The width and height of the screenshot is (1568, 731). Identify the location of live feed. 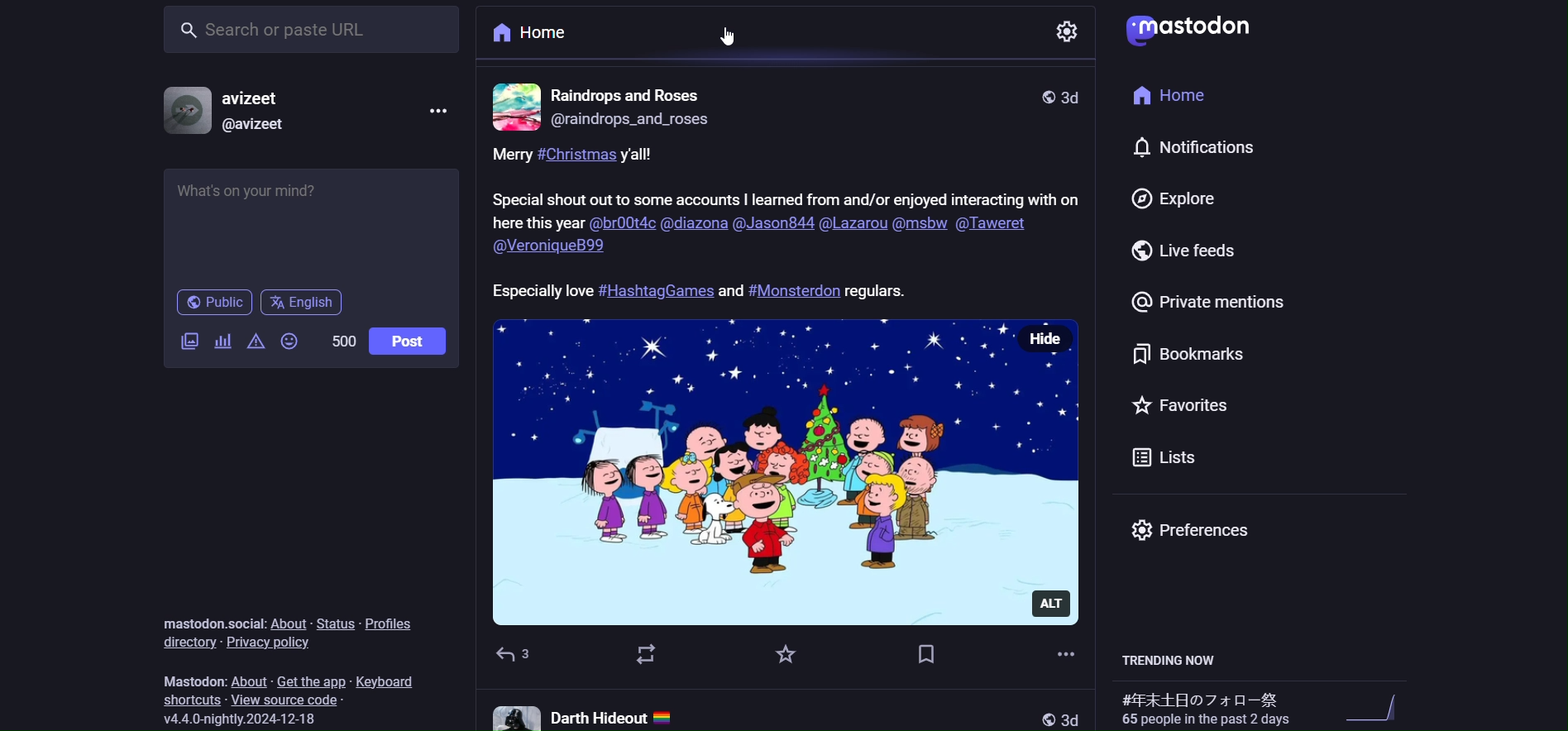
(1186, 252).